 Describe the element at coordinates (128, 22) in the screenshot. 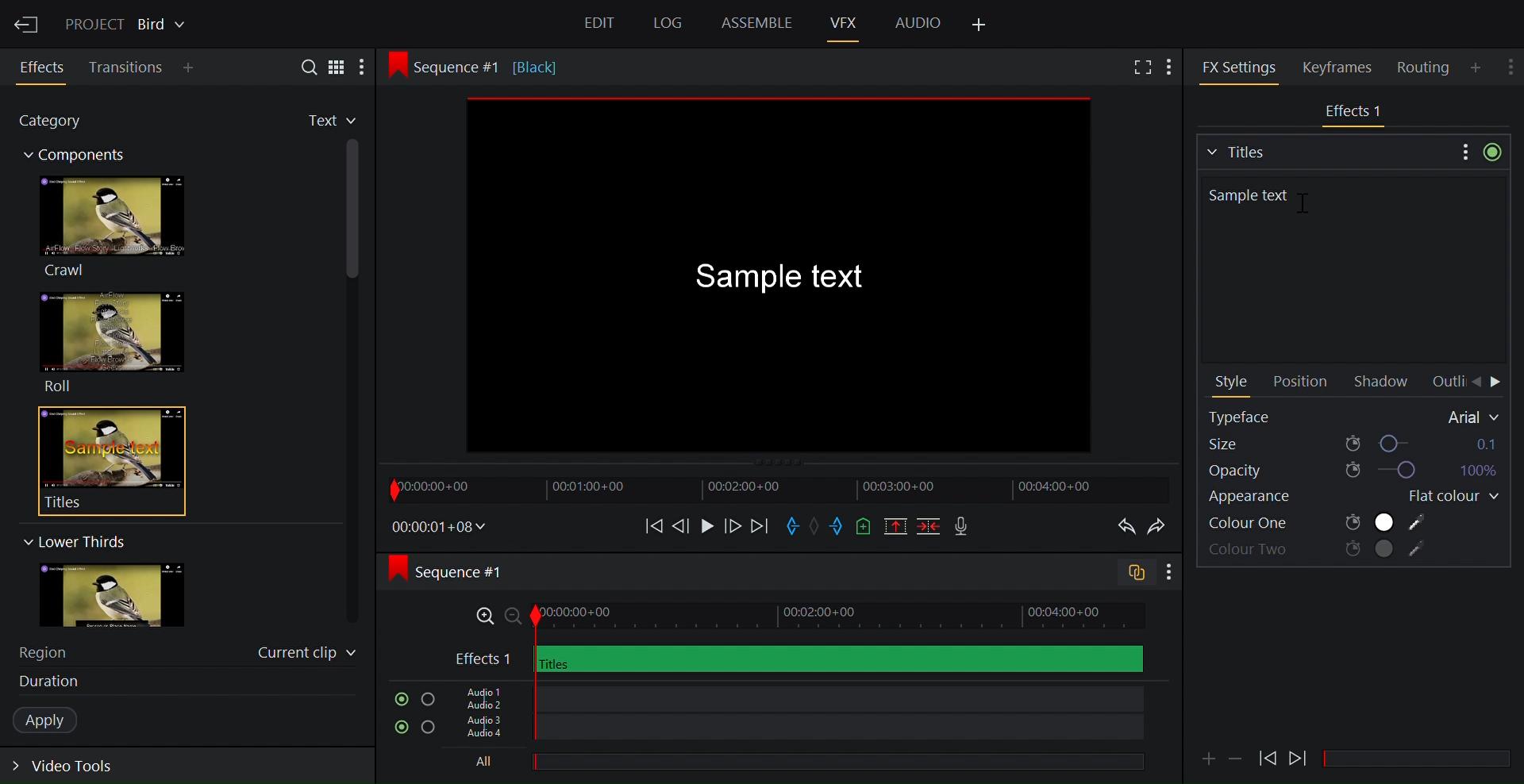

I see `Show/Change current project details` at that location.